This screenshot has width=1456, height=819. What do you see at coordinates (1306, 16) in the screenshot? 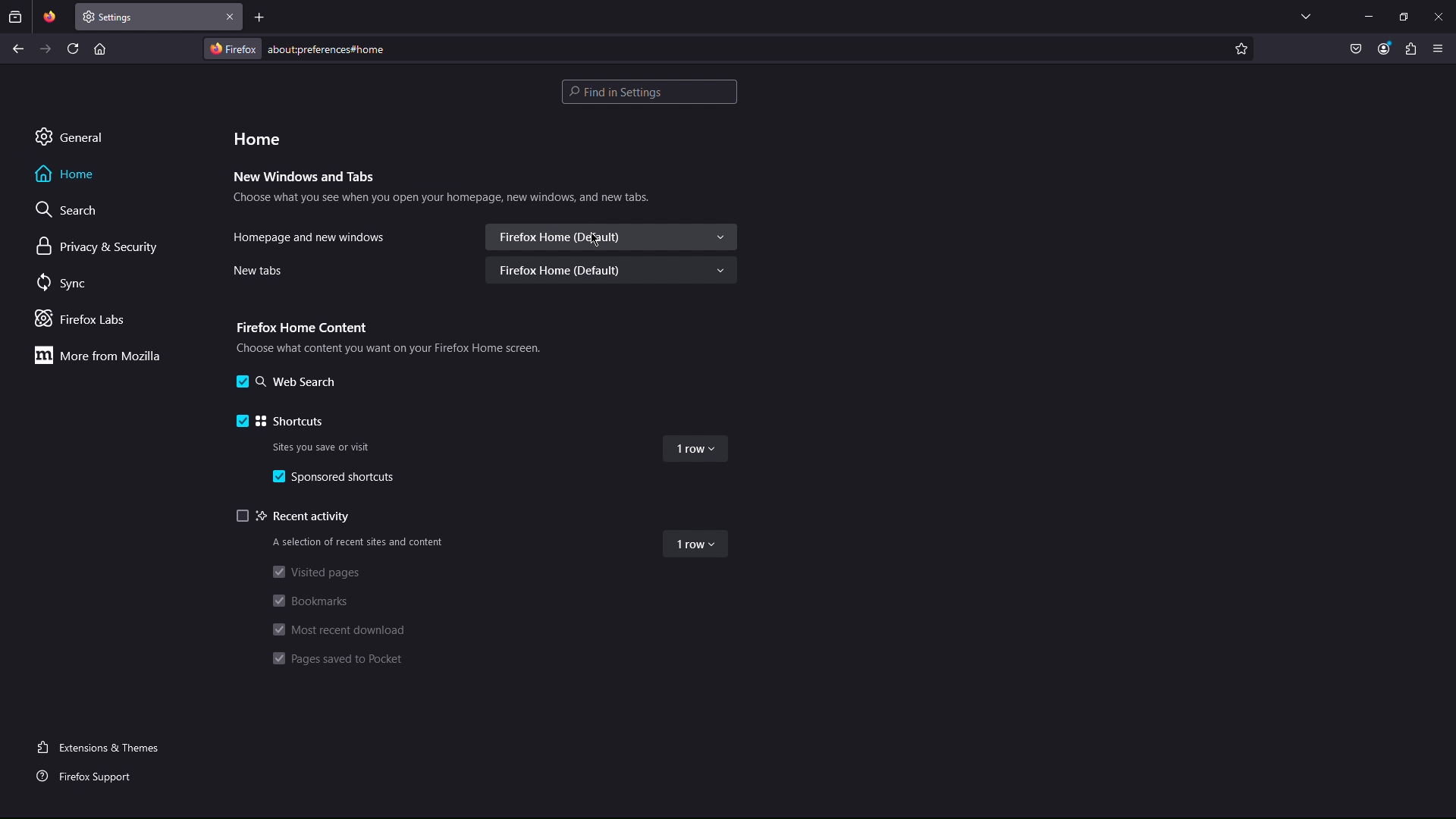
I see `List all tabs` at bounding box center [1306, 16].